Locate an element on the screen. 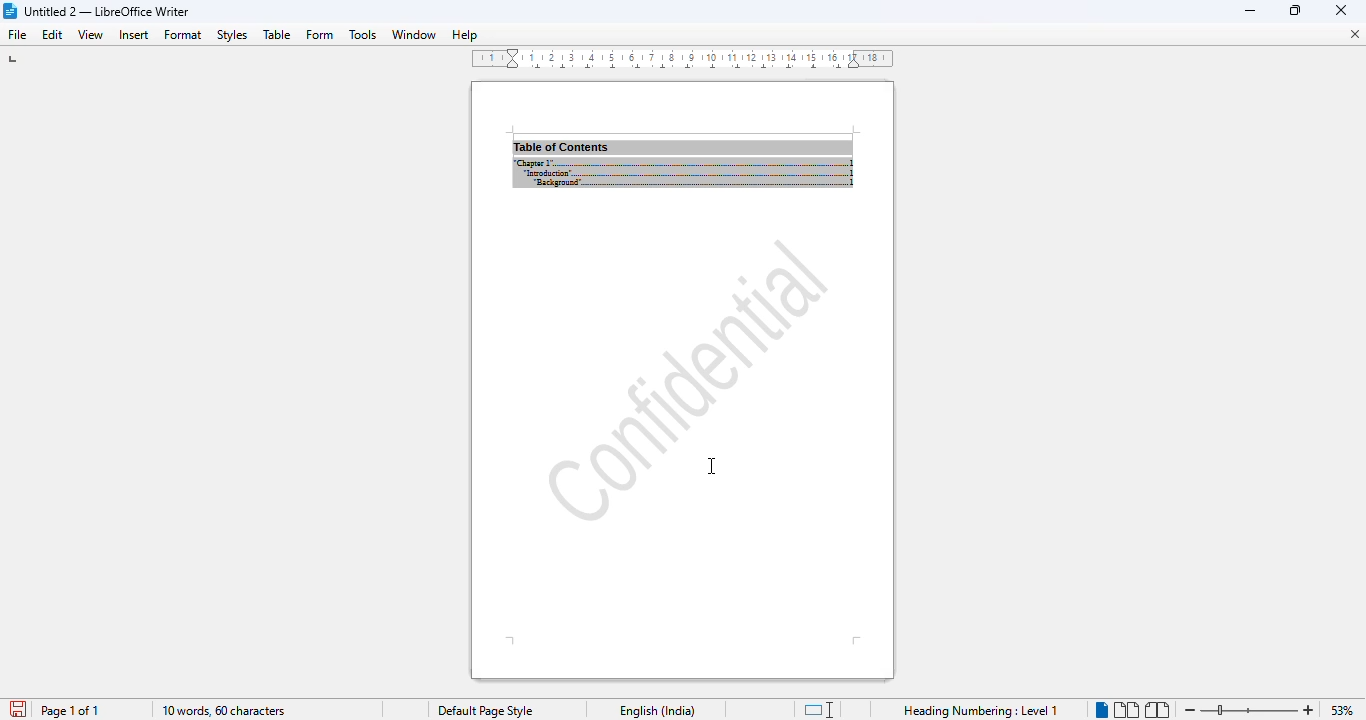 This screenshot has width=1366, height=720. help is located at coordinates (465, 34).